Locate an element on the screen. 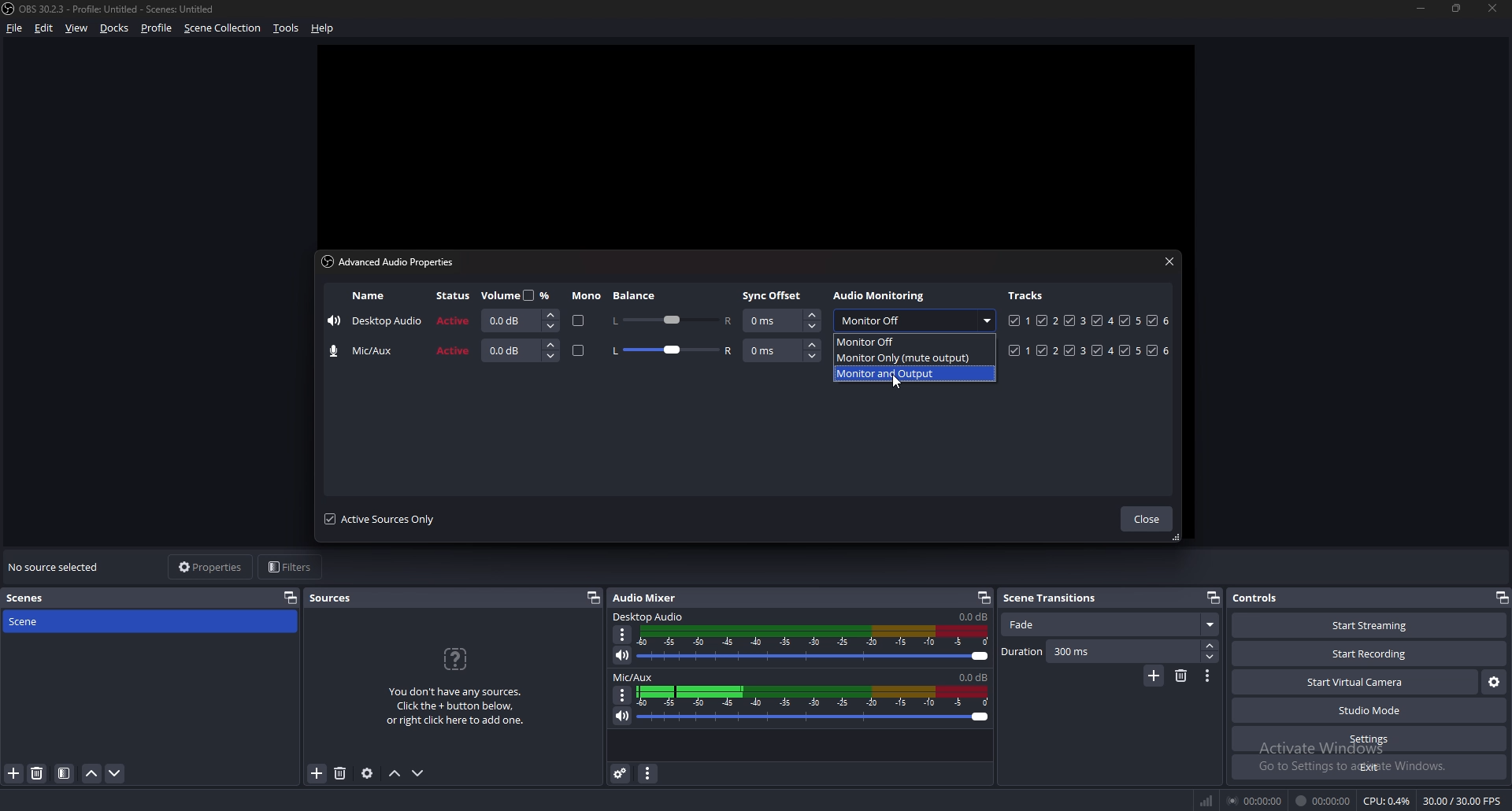  mono is located at coordinates (587, 296).